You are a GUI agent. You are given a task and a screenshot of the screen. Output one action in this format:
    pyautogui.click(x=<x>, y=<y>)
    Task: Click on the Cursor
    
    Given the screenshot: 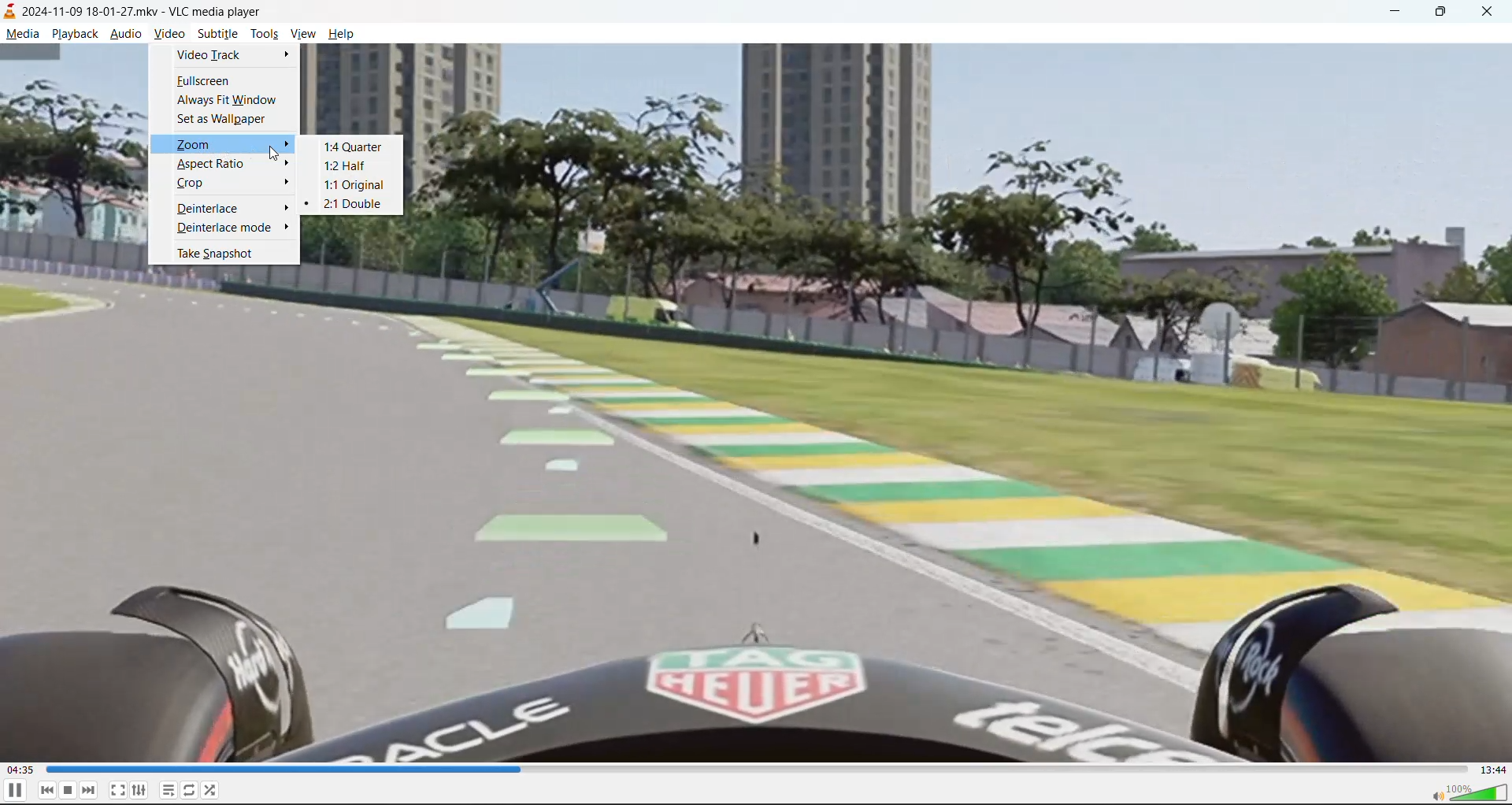 What is the action you would take?
    pyautogui.click(x=274, y=153)
    